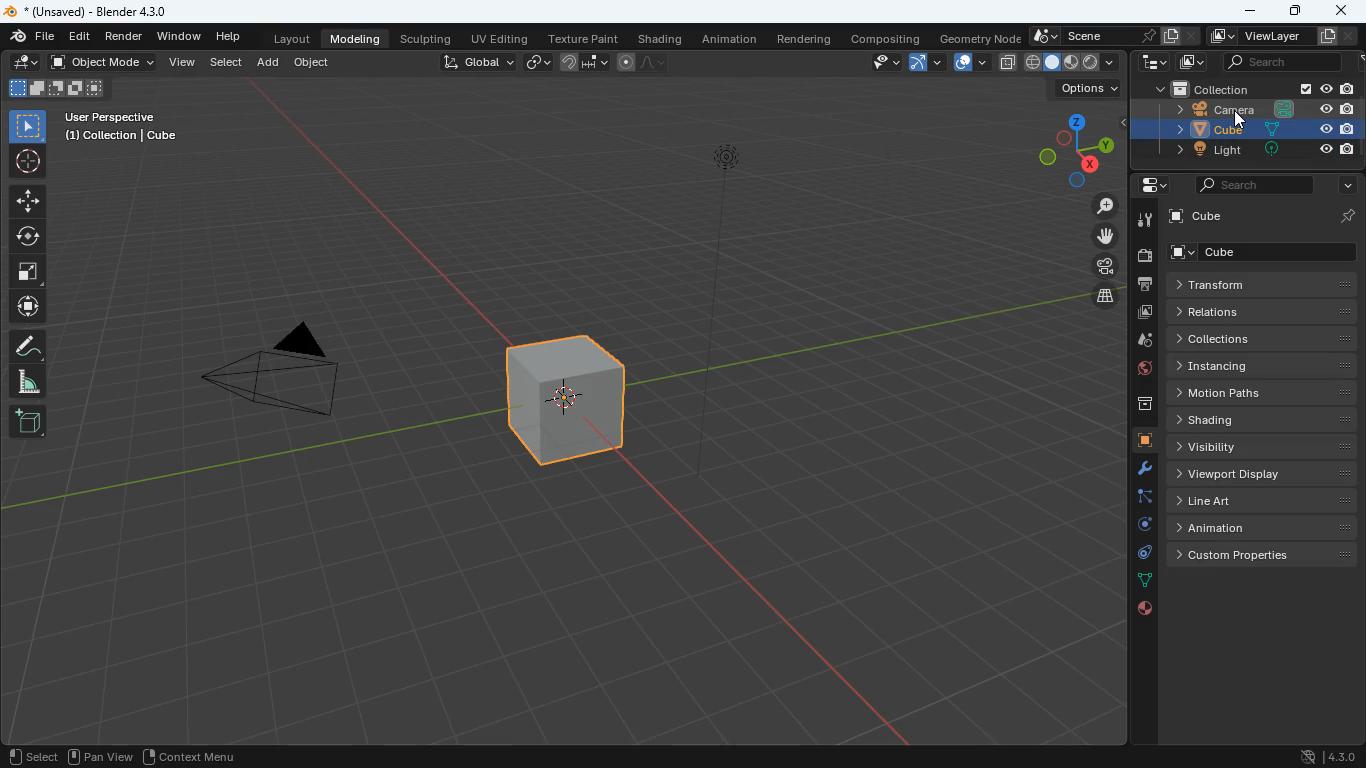  I want to click on tool, so click(1145, 223).